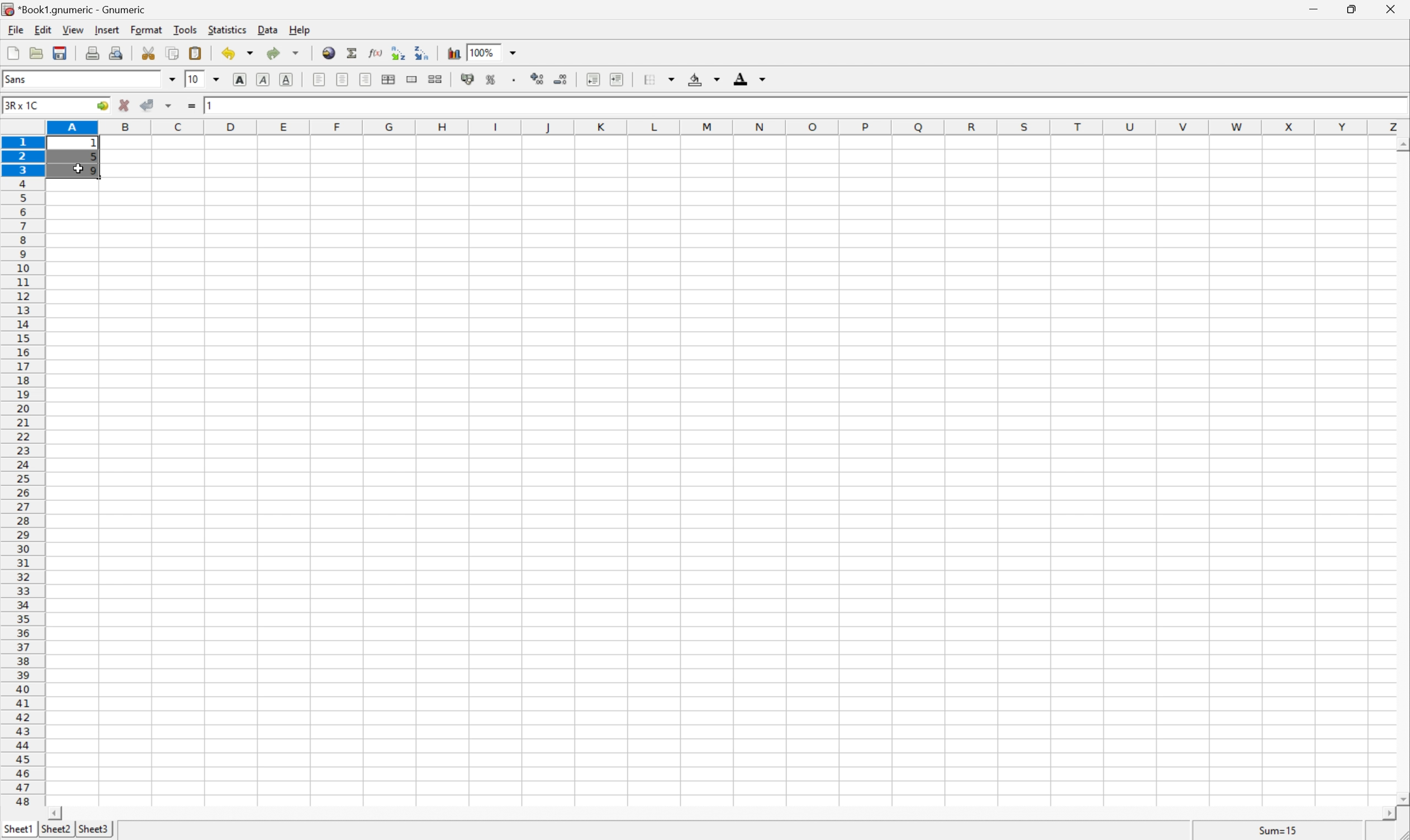 The height and width of the screenshot is (840, 1410). Describe the element at coordinates (468, 79) in the screenshot. I see `format selection as accounting` at that location.